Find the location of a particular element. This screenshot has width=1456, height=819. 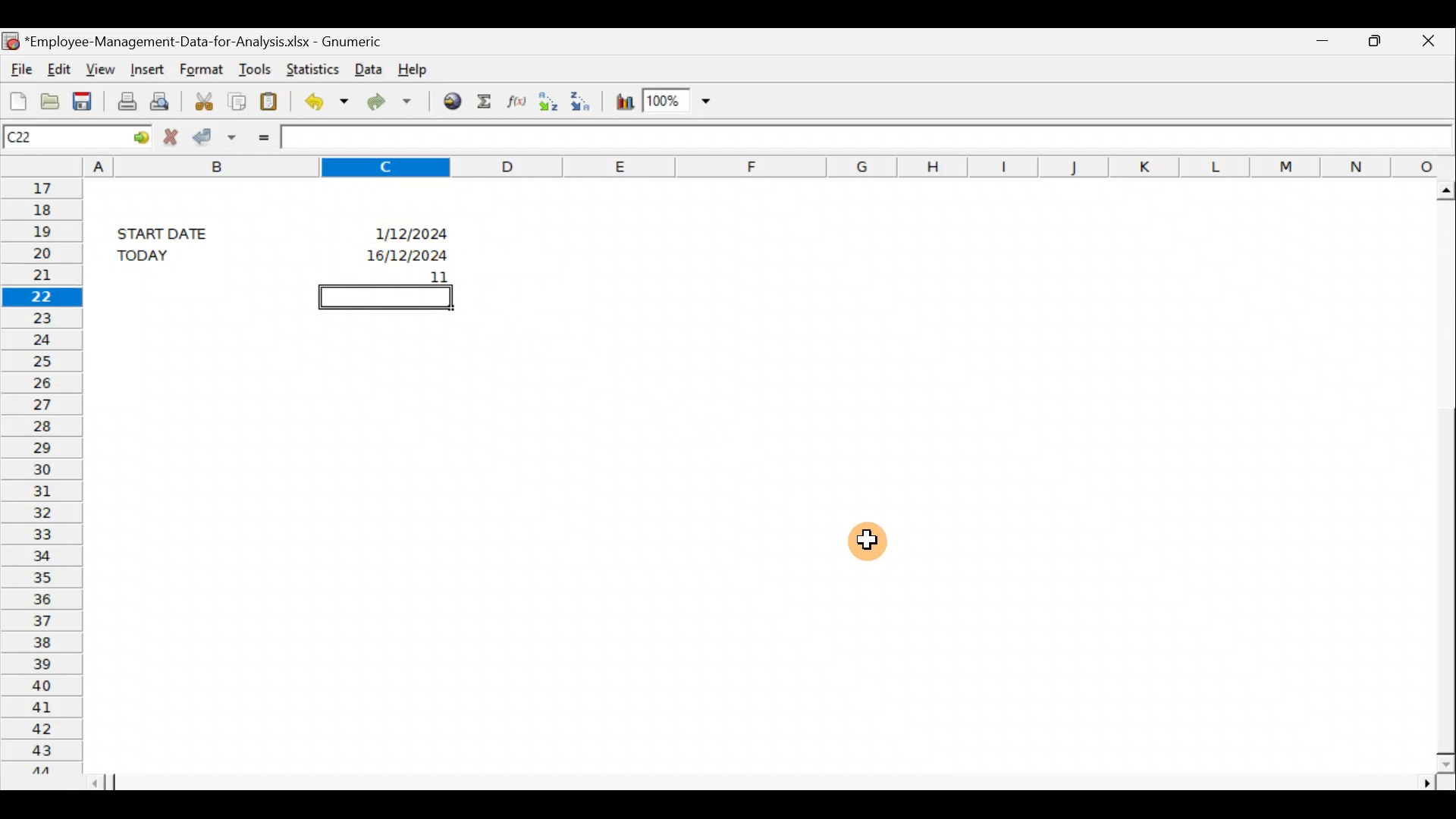

Copy the selection is located at coordinates (239, 99).